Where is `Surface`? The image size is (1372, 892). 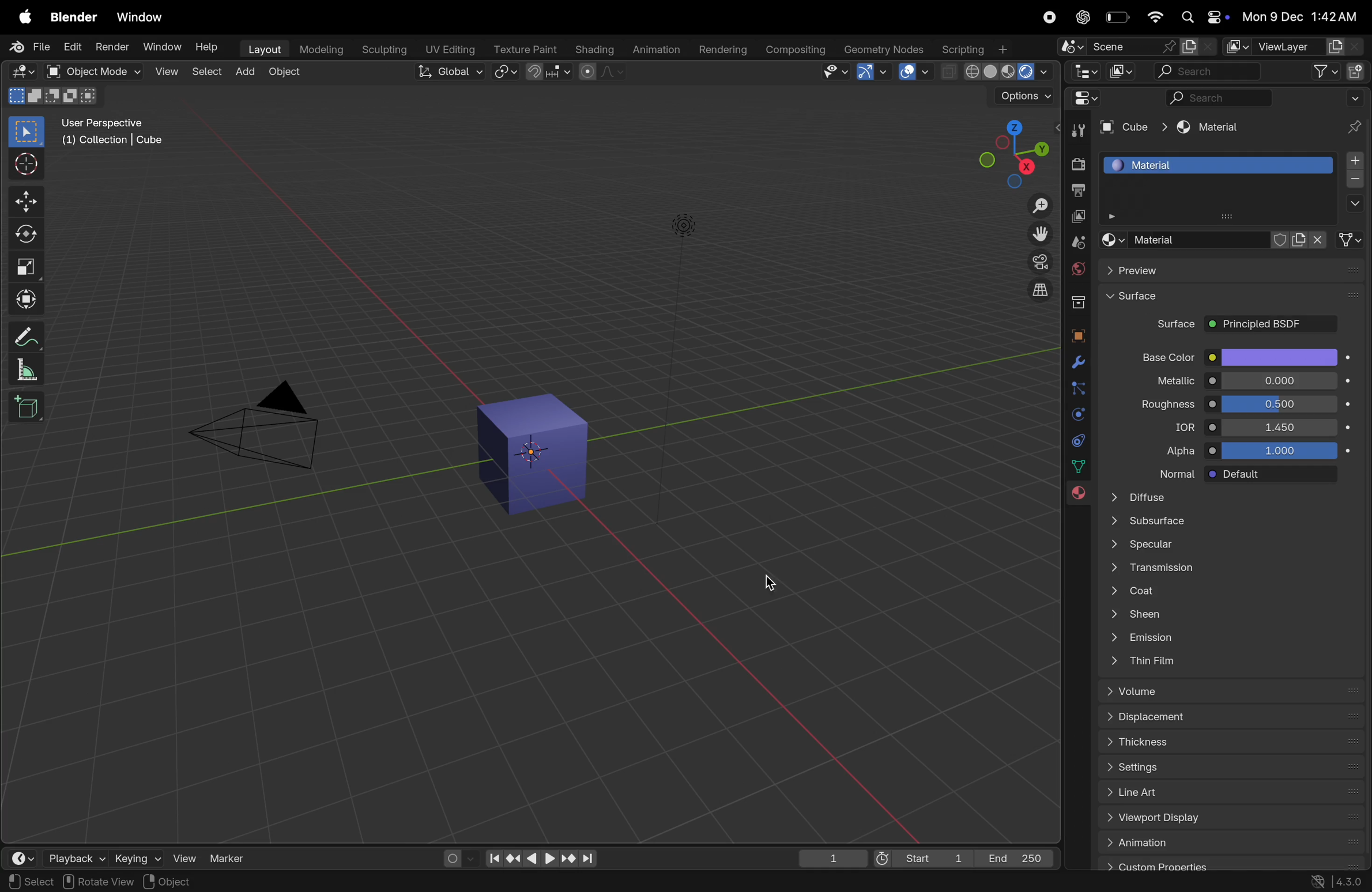
Surface is located at coordinates (1174, 325).